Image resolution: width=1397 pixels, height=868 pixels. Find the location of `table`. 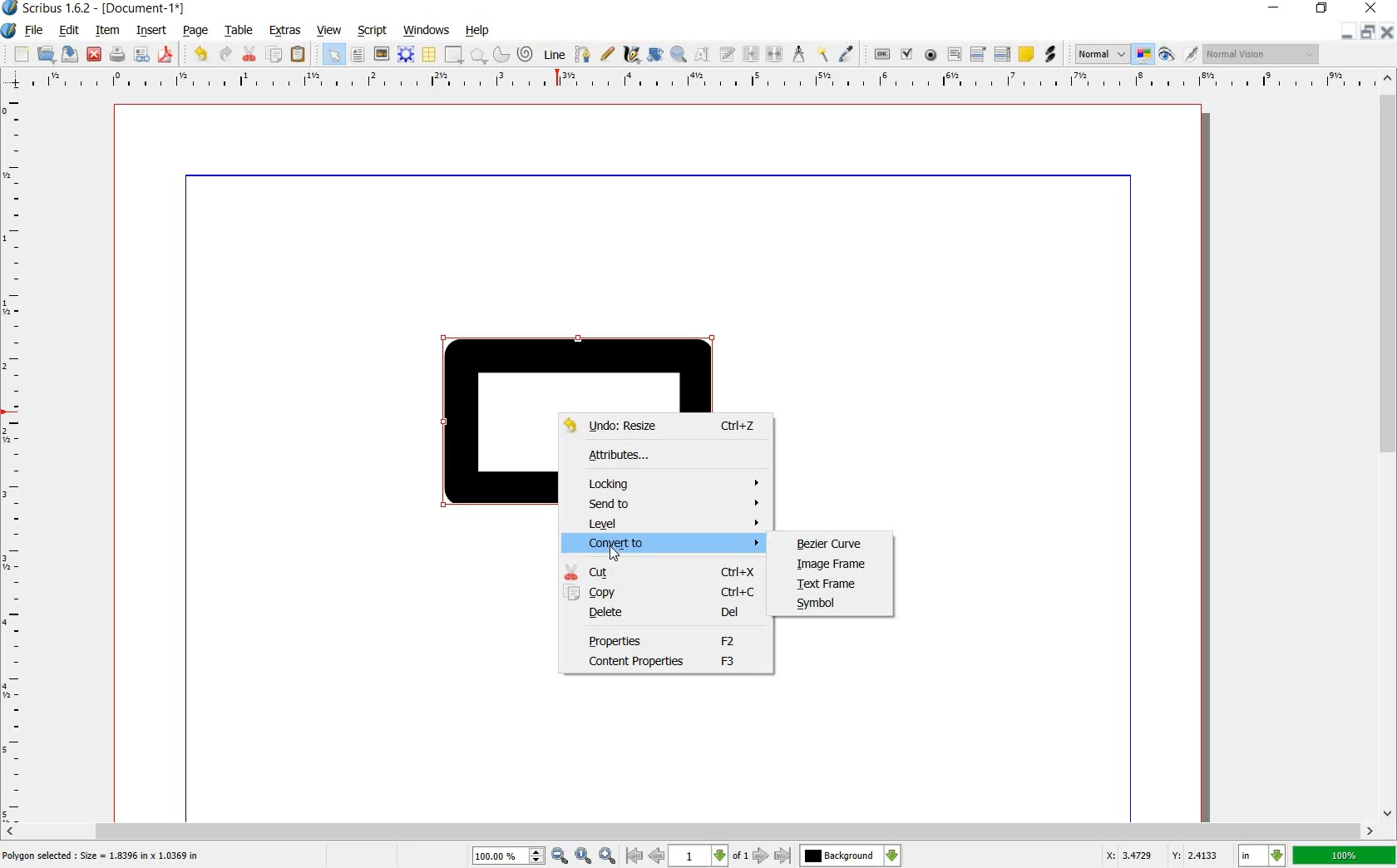

table is located at coordinates (240, 31).